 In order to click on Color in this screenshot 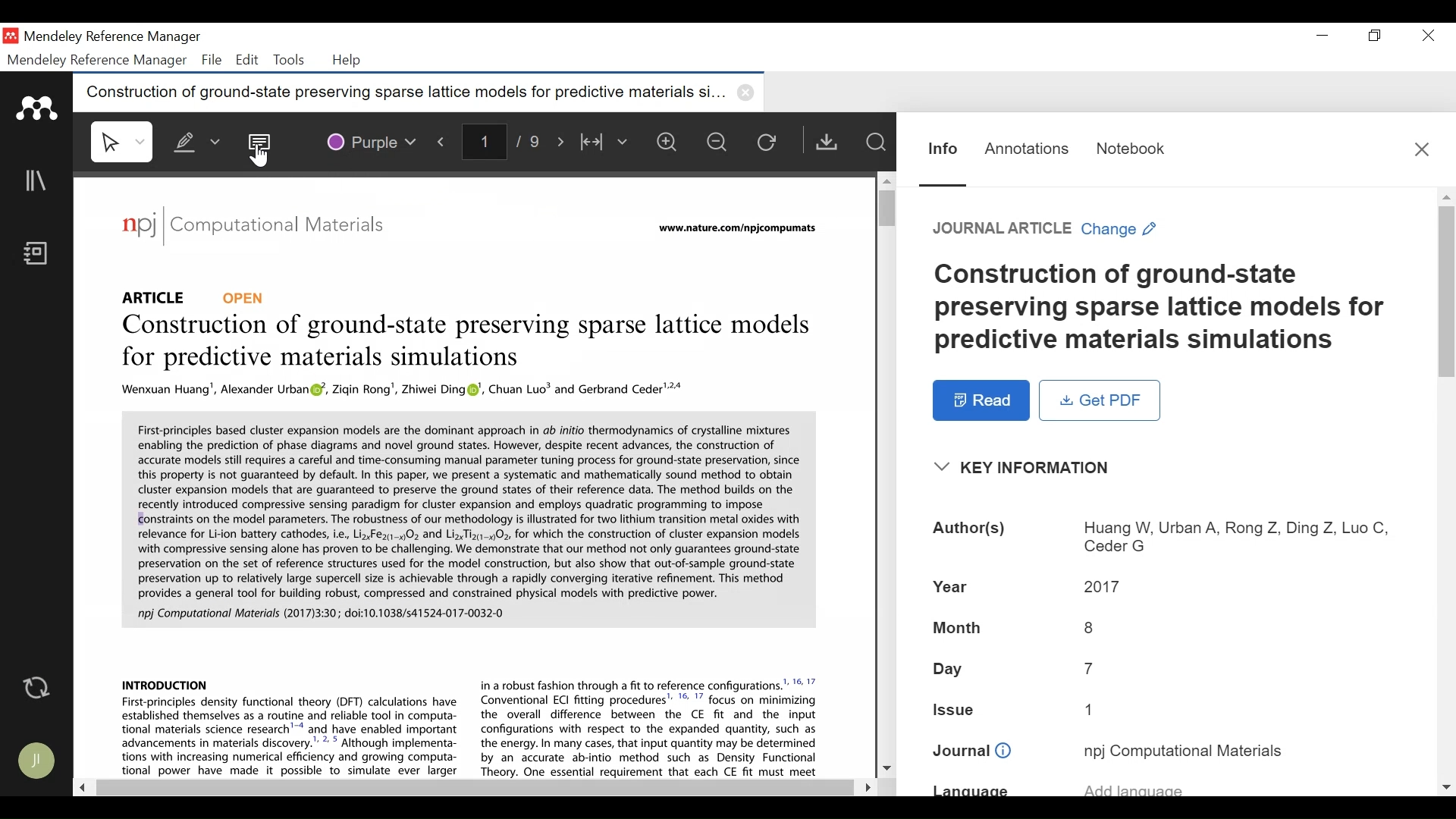, I will do `click(372, 140)`.